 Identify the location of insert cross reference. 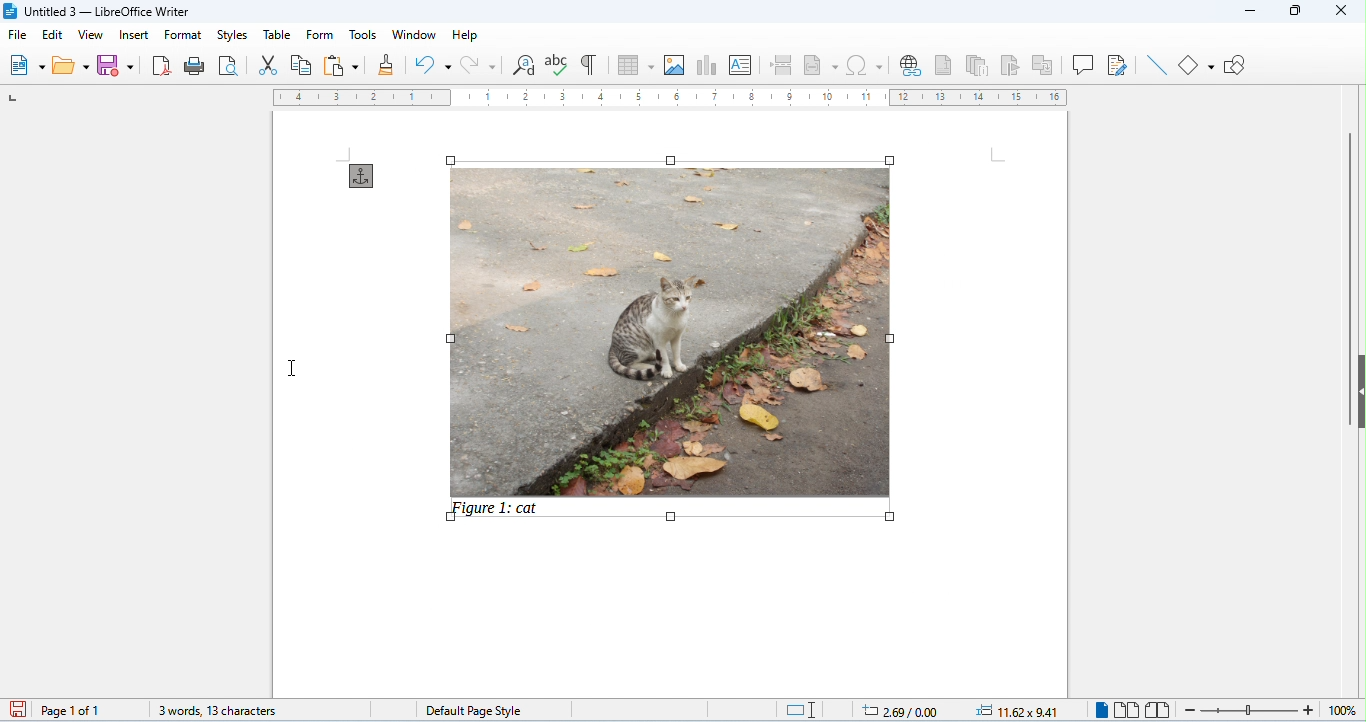
(1045, 65).